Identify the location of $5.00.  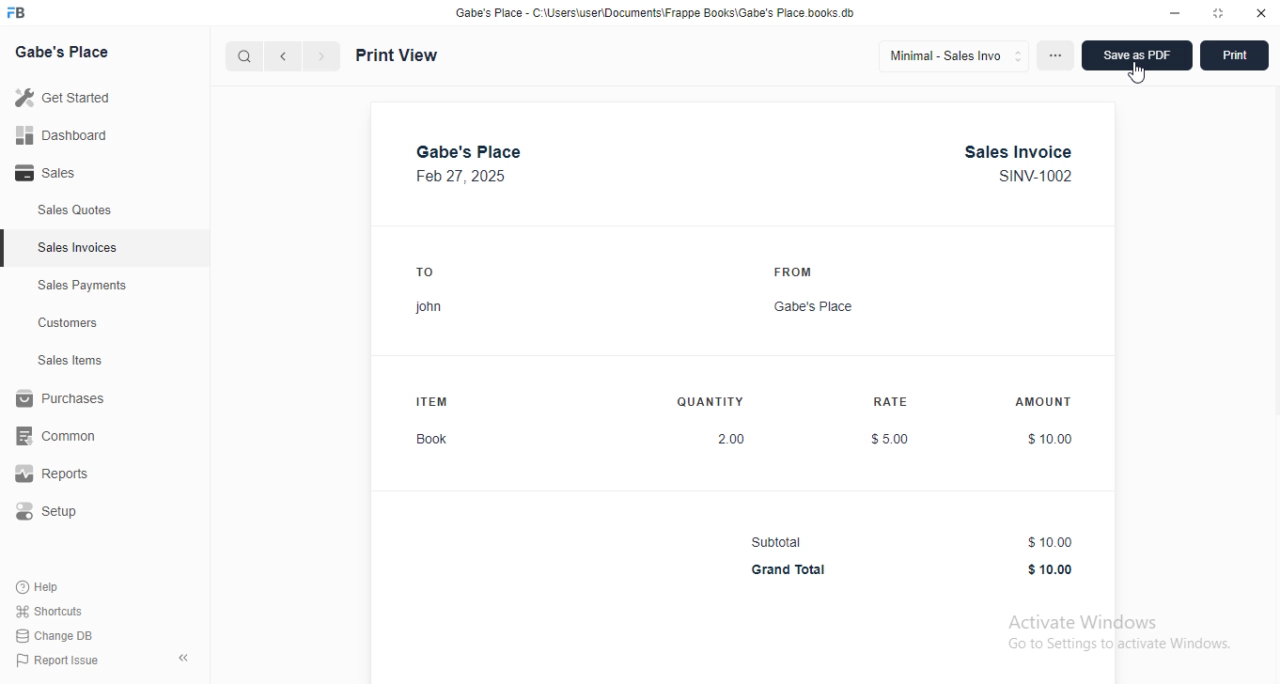
(891, 439).